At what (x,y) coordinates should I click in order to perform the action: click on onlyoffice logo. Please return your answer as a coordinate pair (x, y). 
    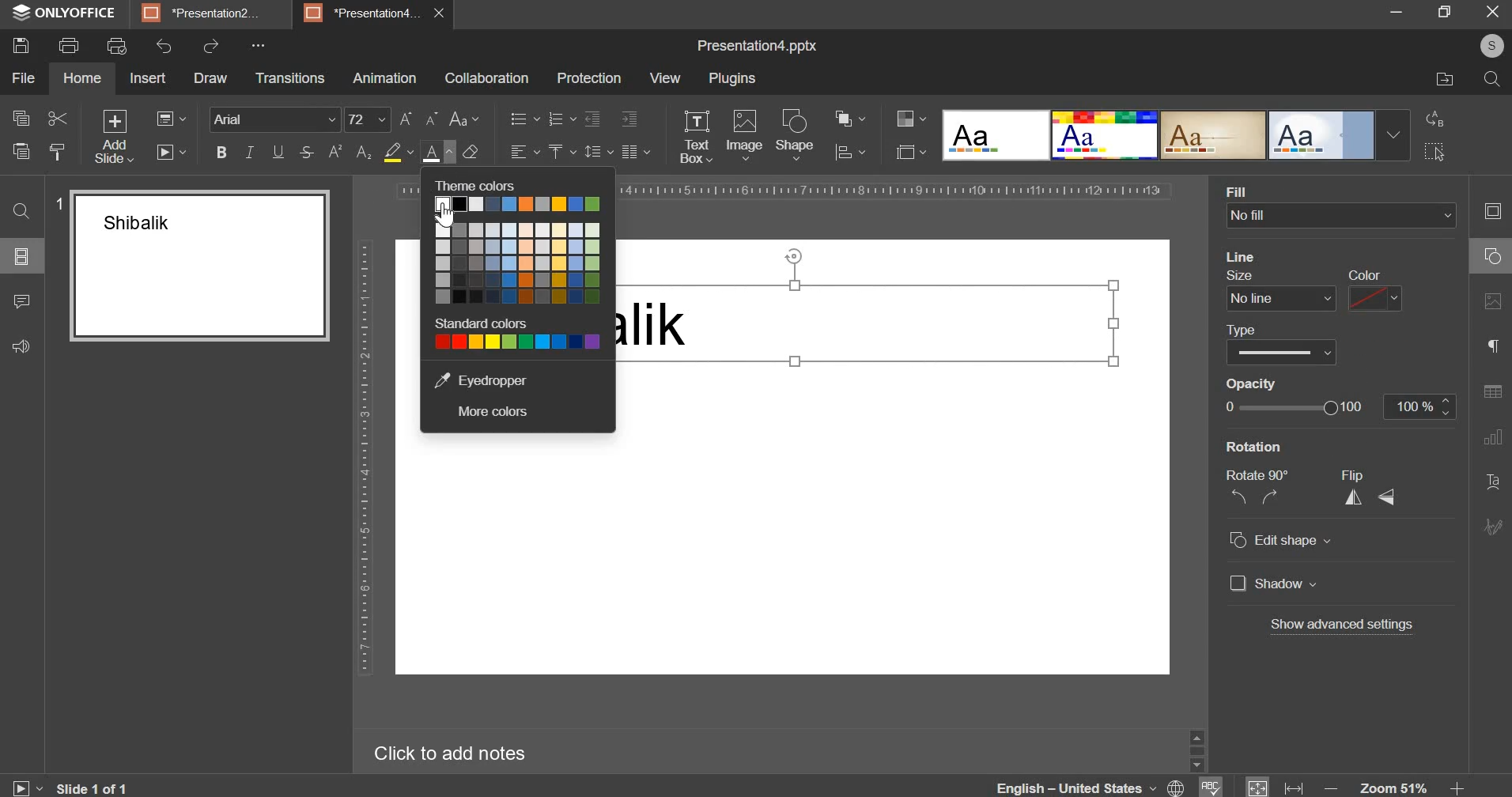
    Looking at the image, I should click on (21, 13).